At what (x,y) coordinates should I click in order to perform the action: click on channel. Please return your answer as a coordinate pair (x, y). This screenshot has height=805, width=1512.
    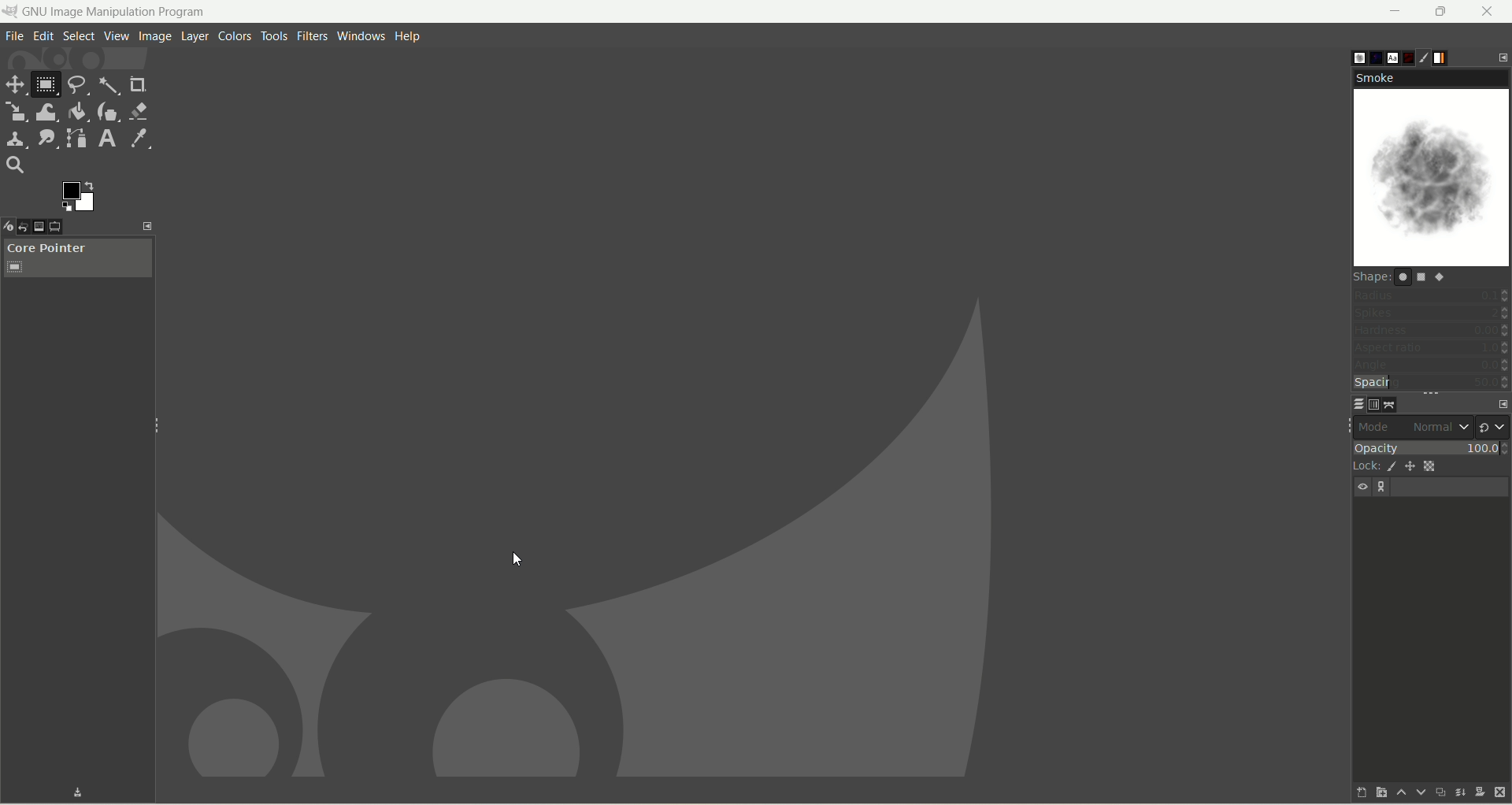
    Looking at the image, I should click on (1370, 404).